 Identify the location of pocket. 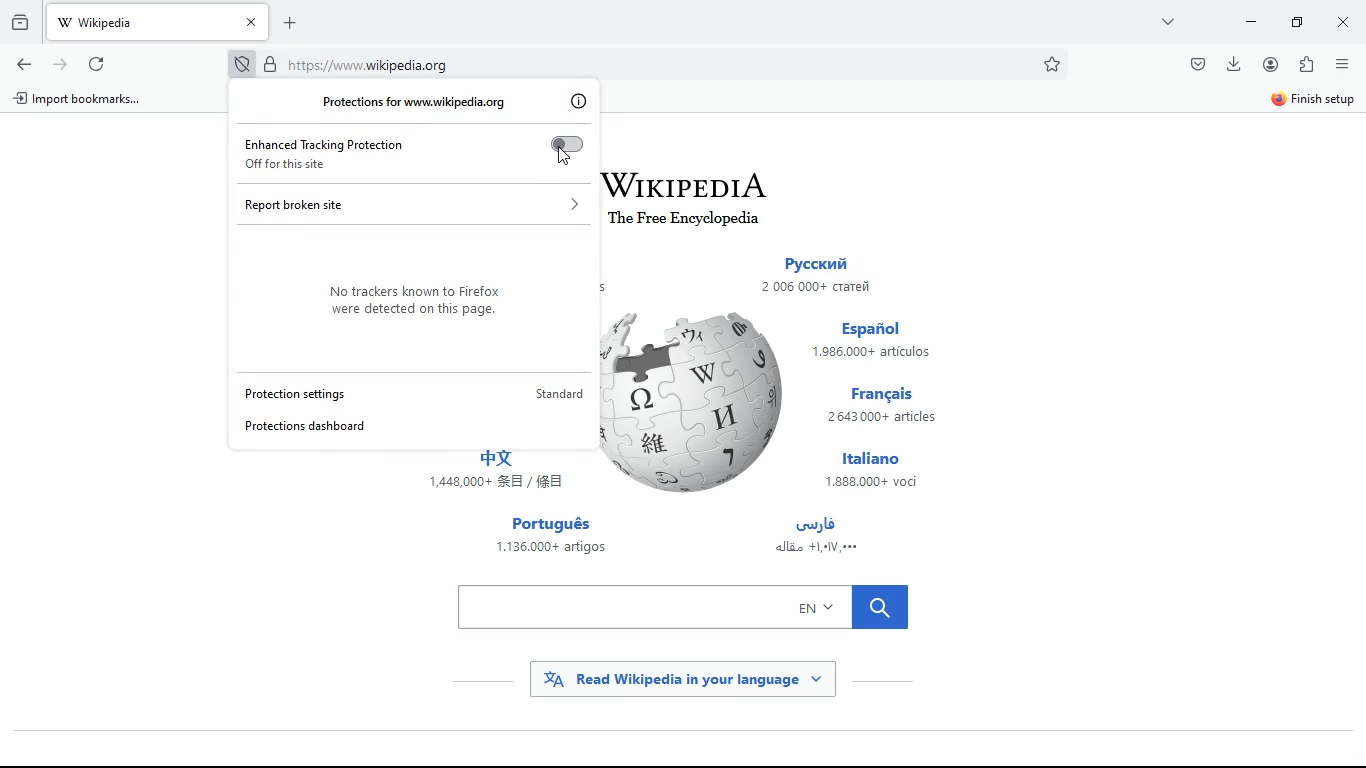
(1196, 64).